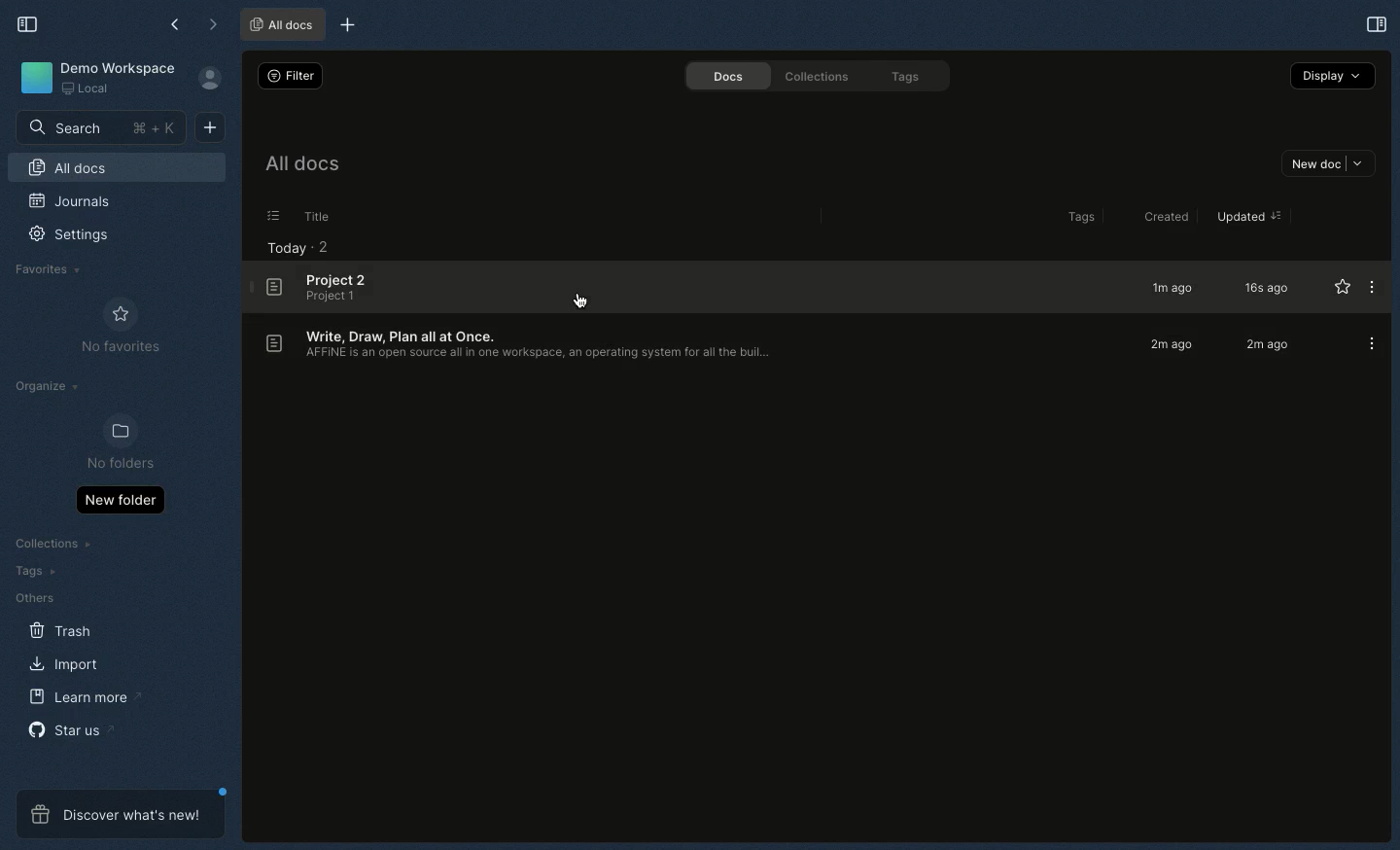 Image resolution: width=1400 pixels, height=850 pixels. What do you see at coordinates (824, 77) in the screenshot?
I see `Collections` at bounding box center [824, 77].